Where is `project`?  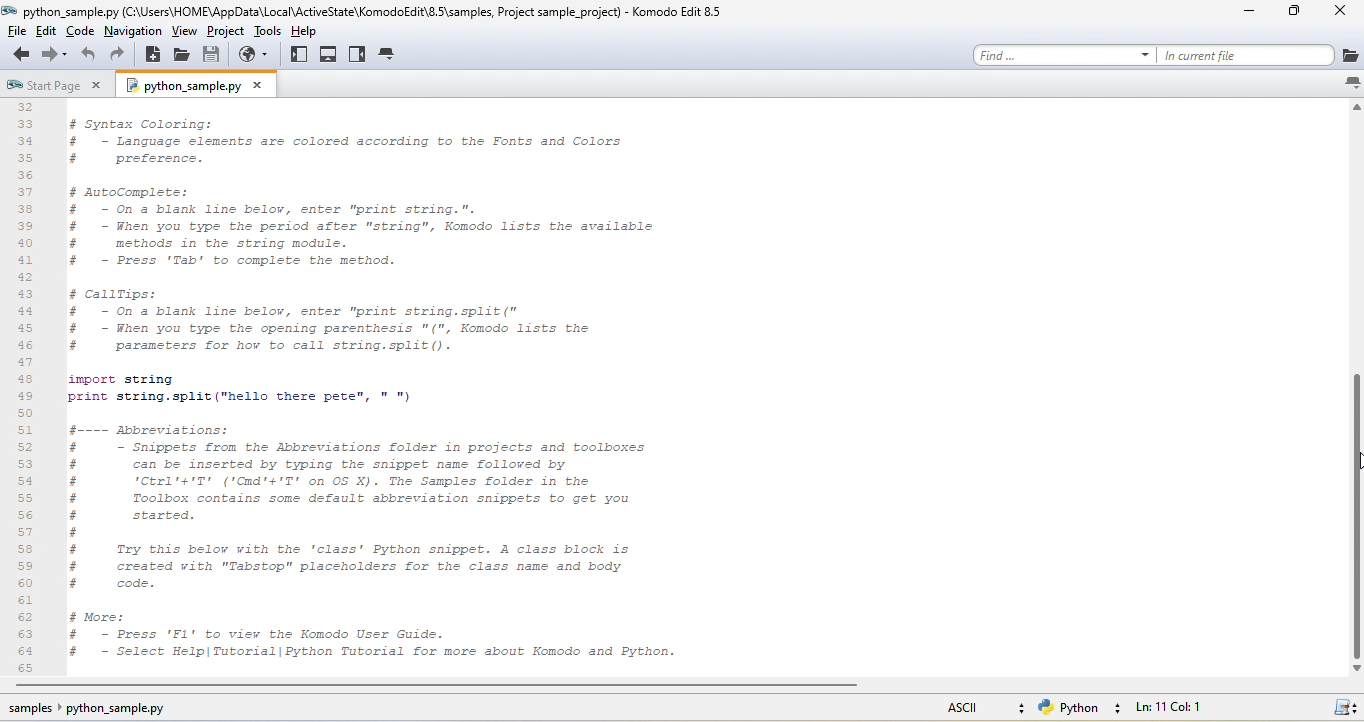
project is located at coordinates (225, 34).